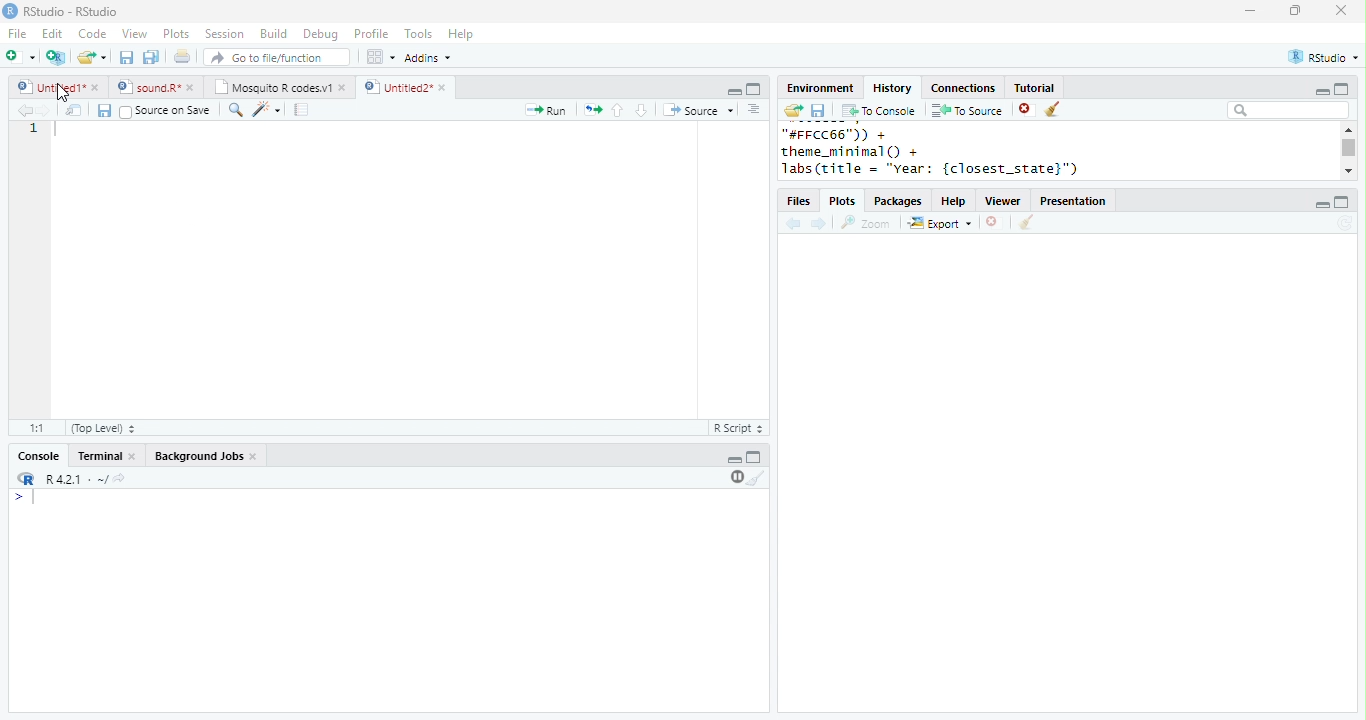  Describe the element at coordinates (135, 33) in the screenshot. I see `View` at that location.